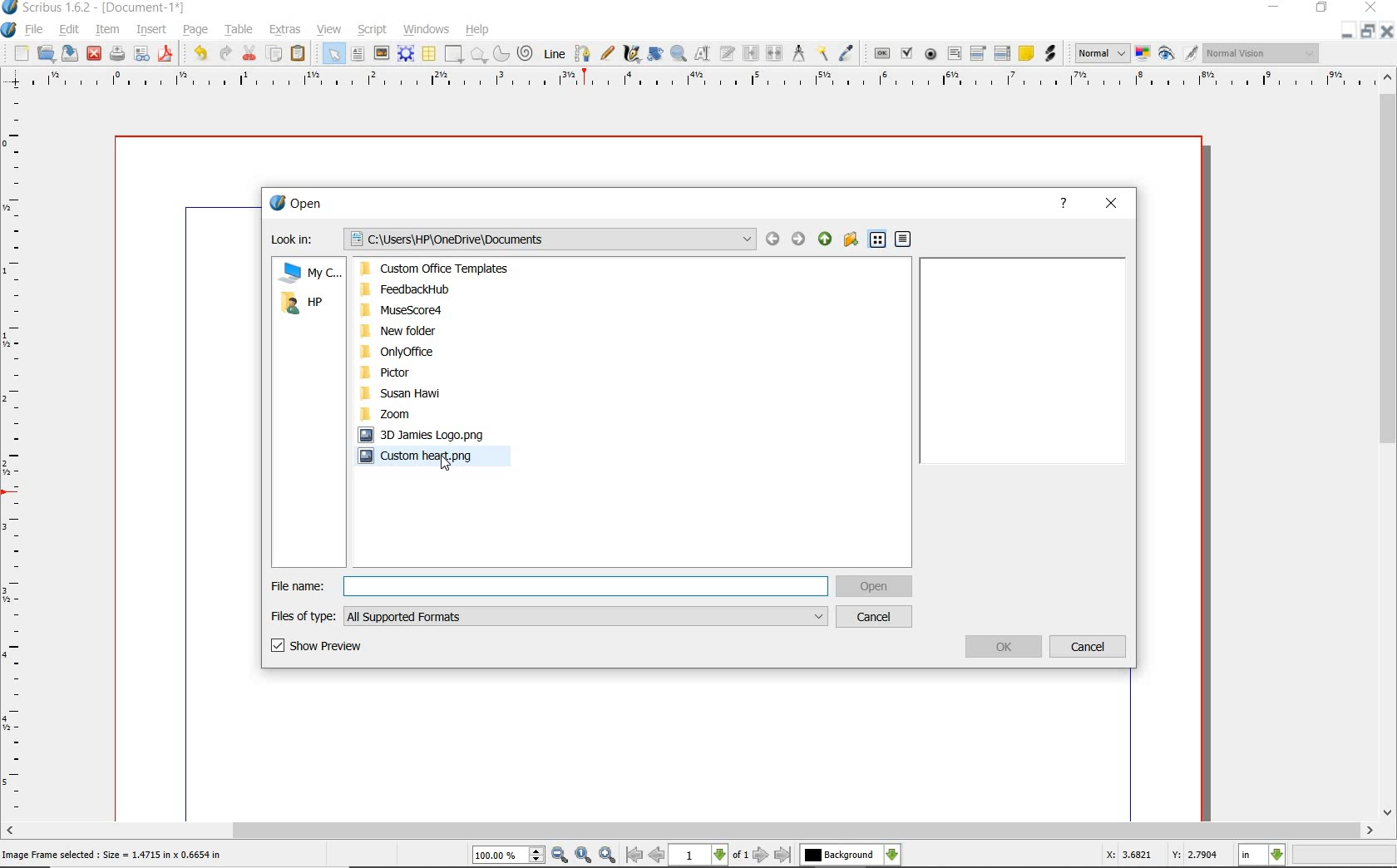  I want to click on cancel, so click(1090, 648).